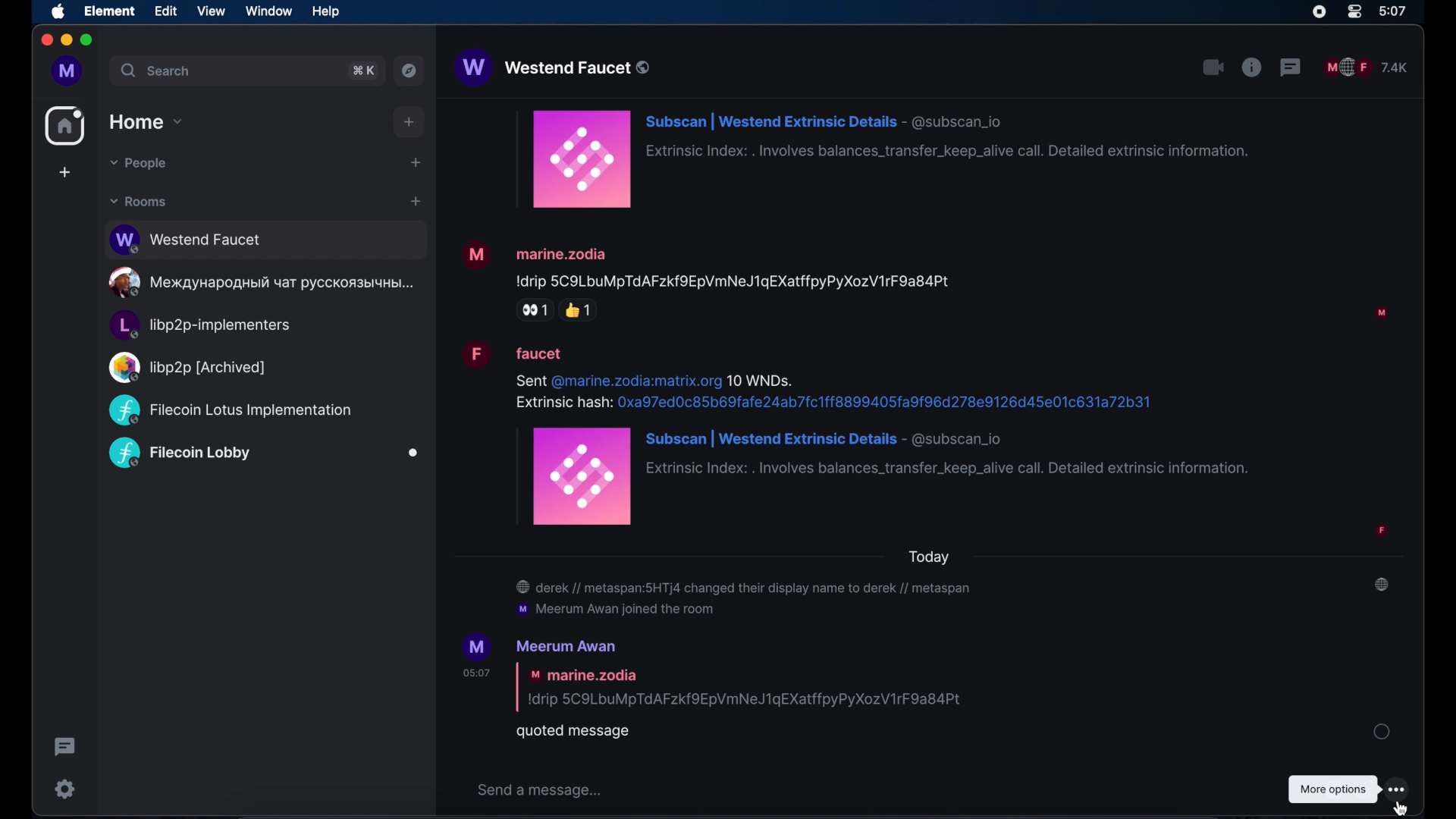 This screenshot has height=819, width=1456. I want to click on message, so click(927, 281).